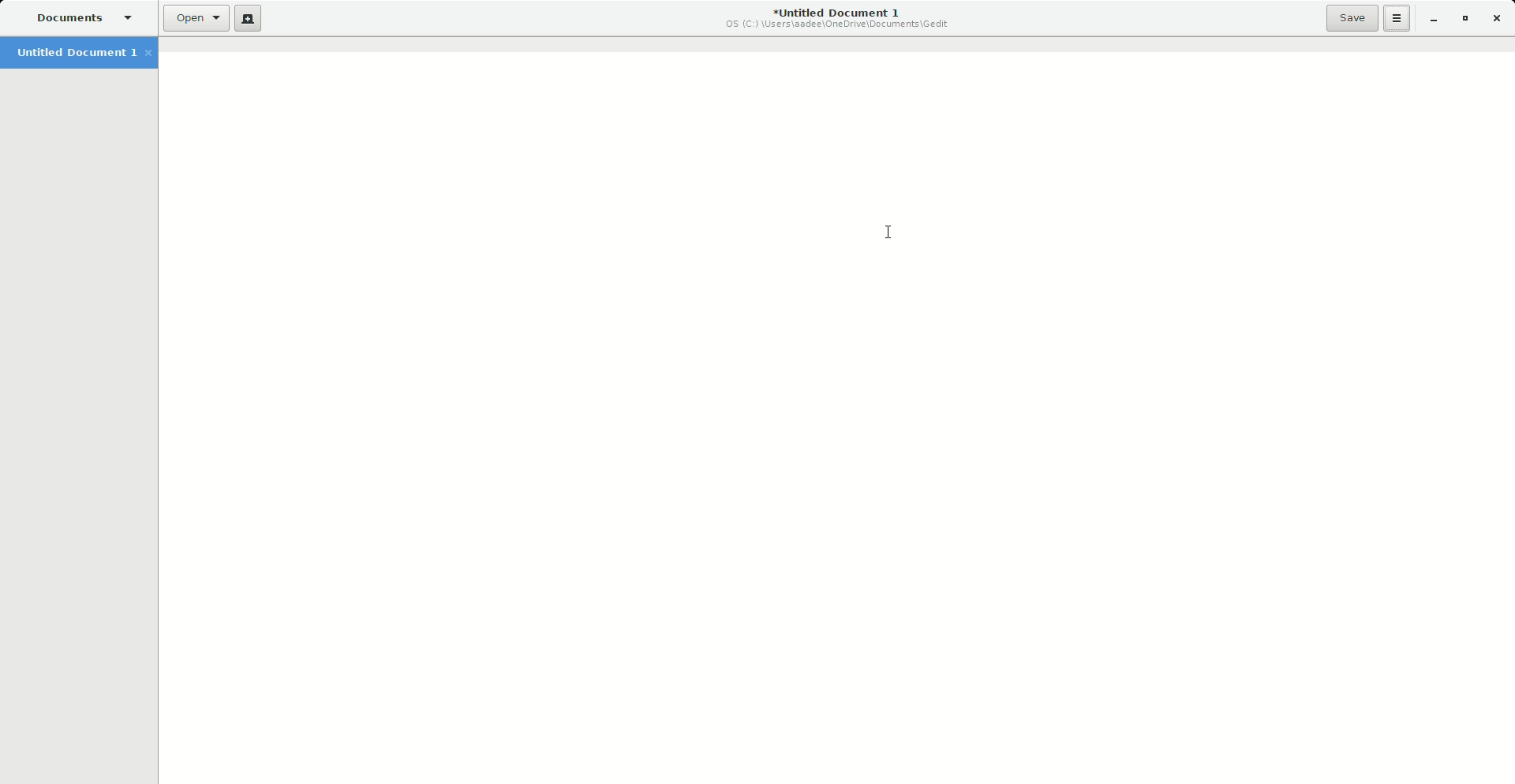 This screenshot has height=784, width=1515. Describe the element at coordinates (1499, 17) in the screenshot. I see `Close` at that location.